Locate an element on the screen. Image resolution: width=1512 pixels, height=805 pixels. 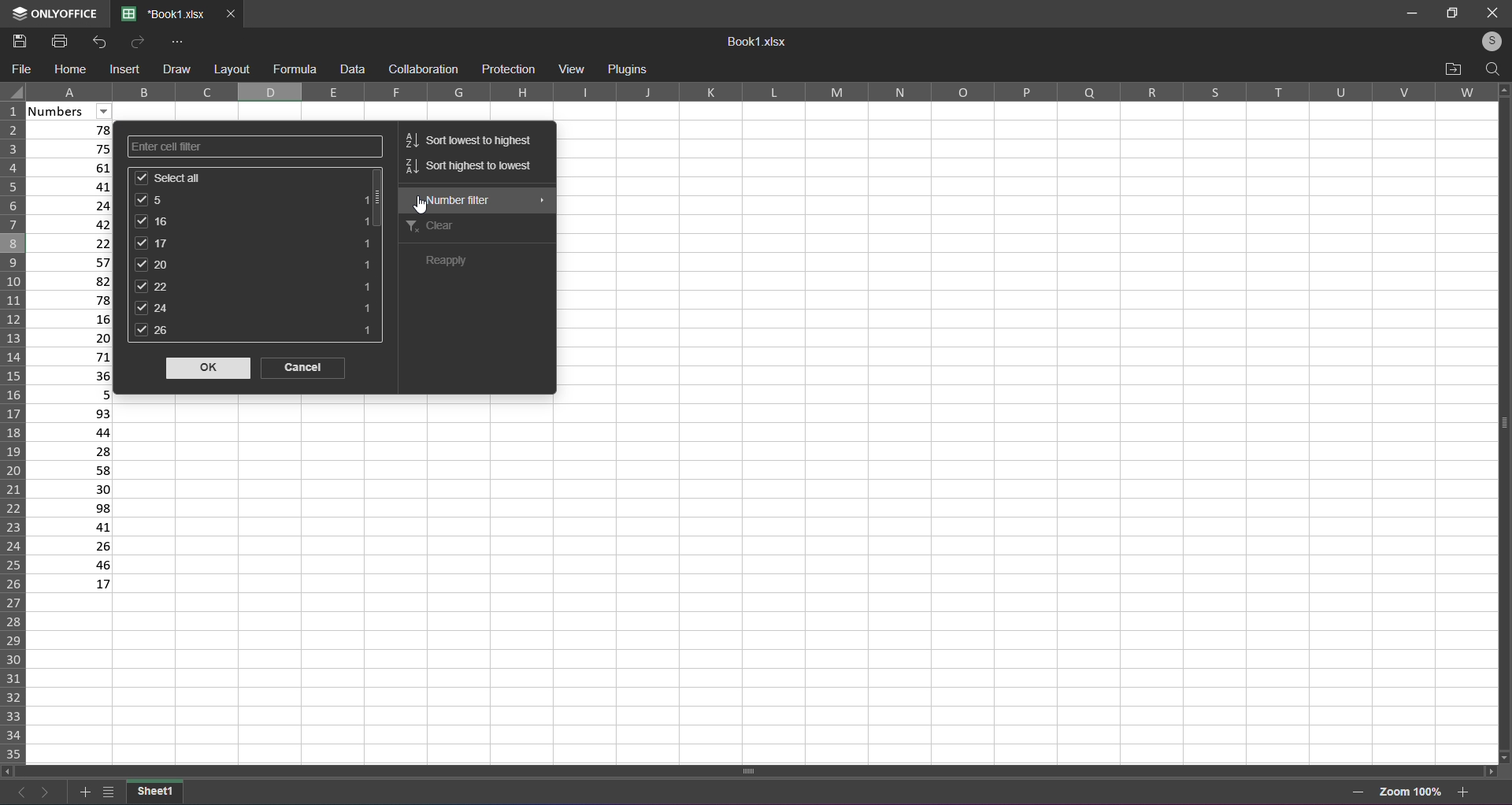
57 is located at coordinates (75, 261).